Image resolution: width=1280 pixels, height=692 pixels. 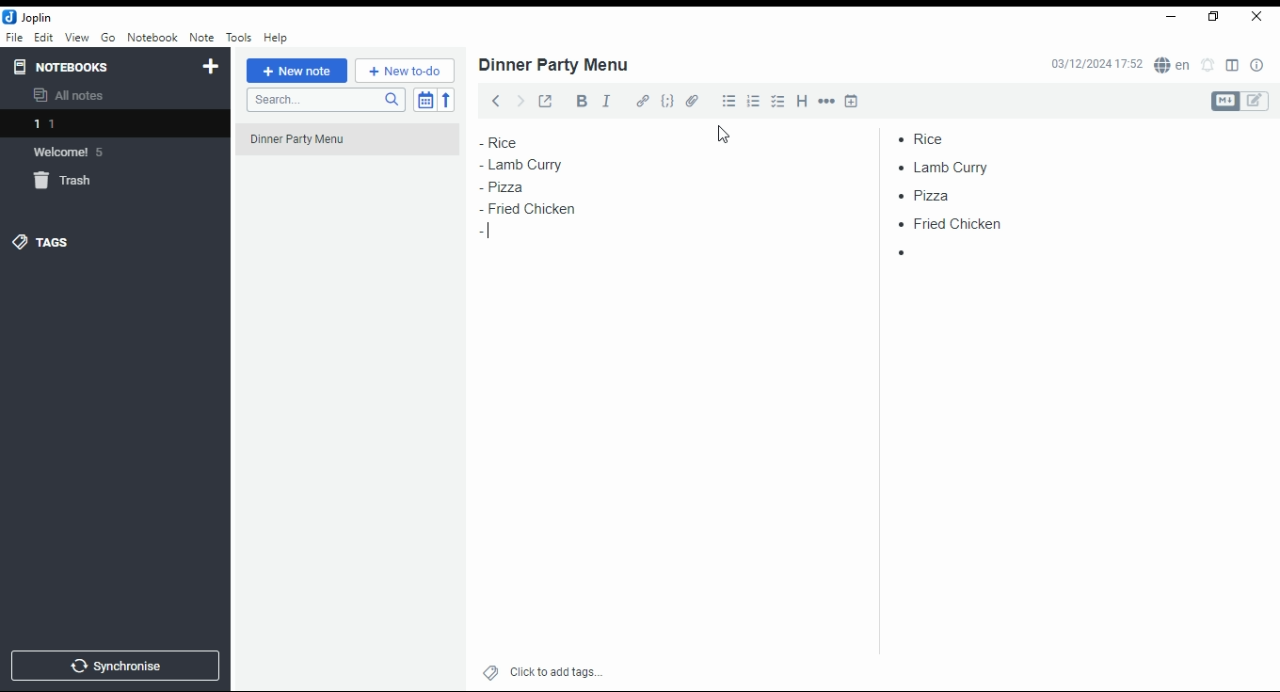 What do you see at coordinates (578, 101) in the screenshot?
I see `bold` at bounding box center [578, 101].